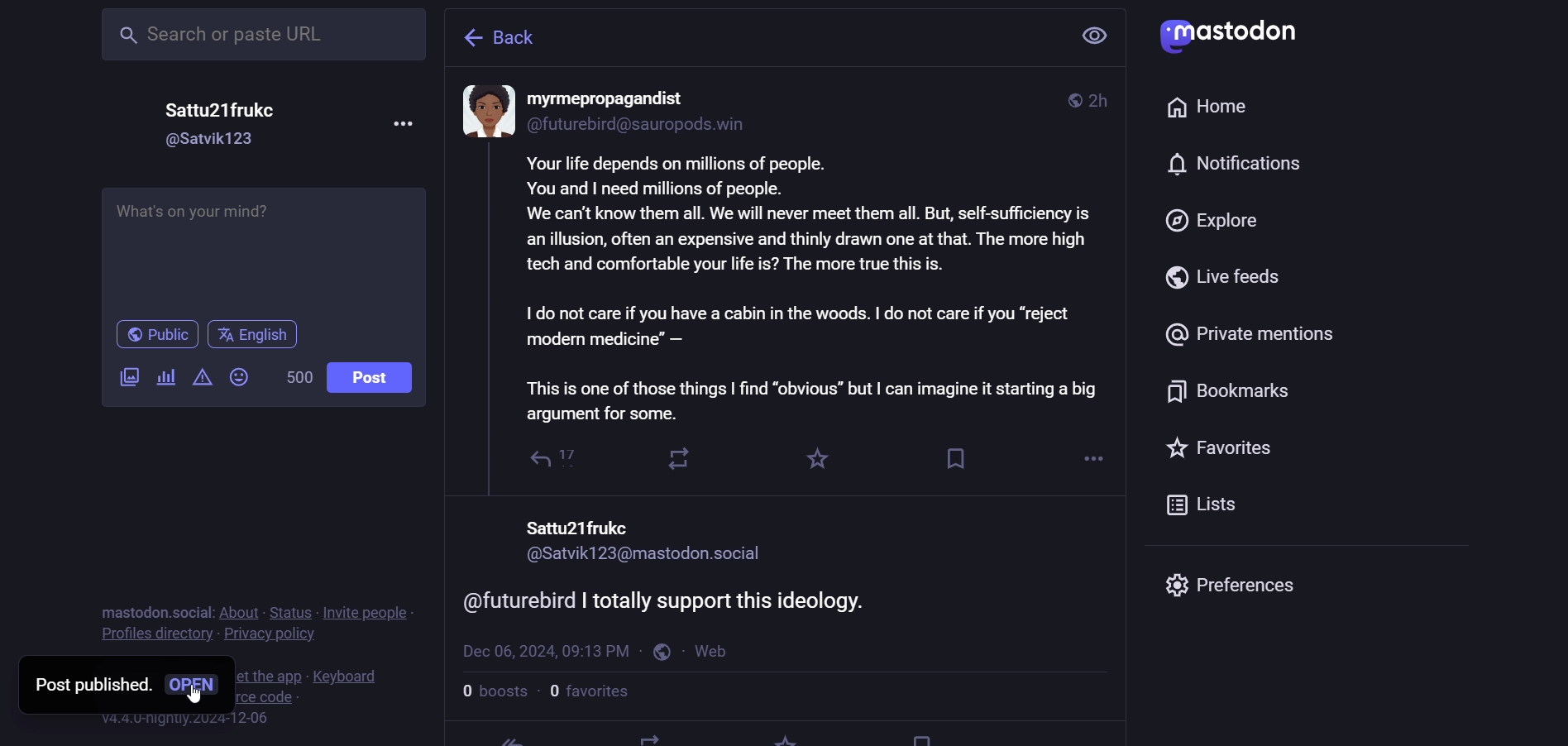 This screenshot has height=746, width=1568. I want to click on post published, so click(88, 687).